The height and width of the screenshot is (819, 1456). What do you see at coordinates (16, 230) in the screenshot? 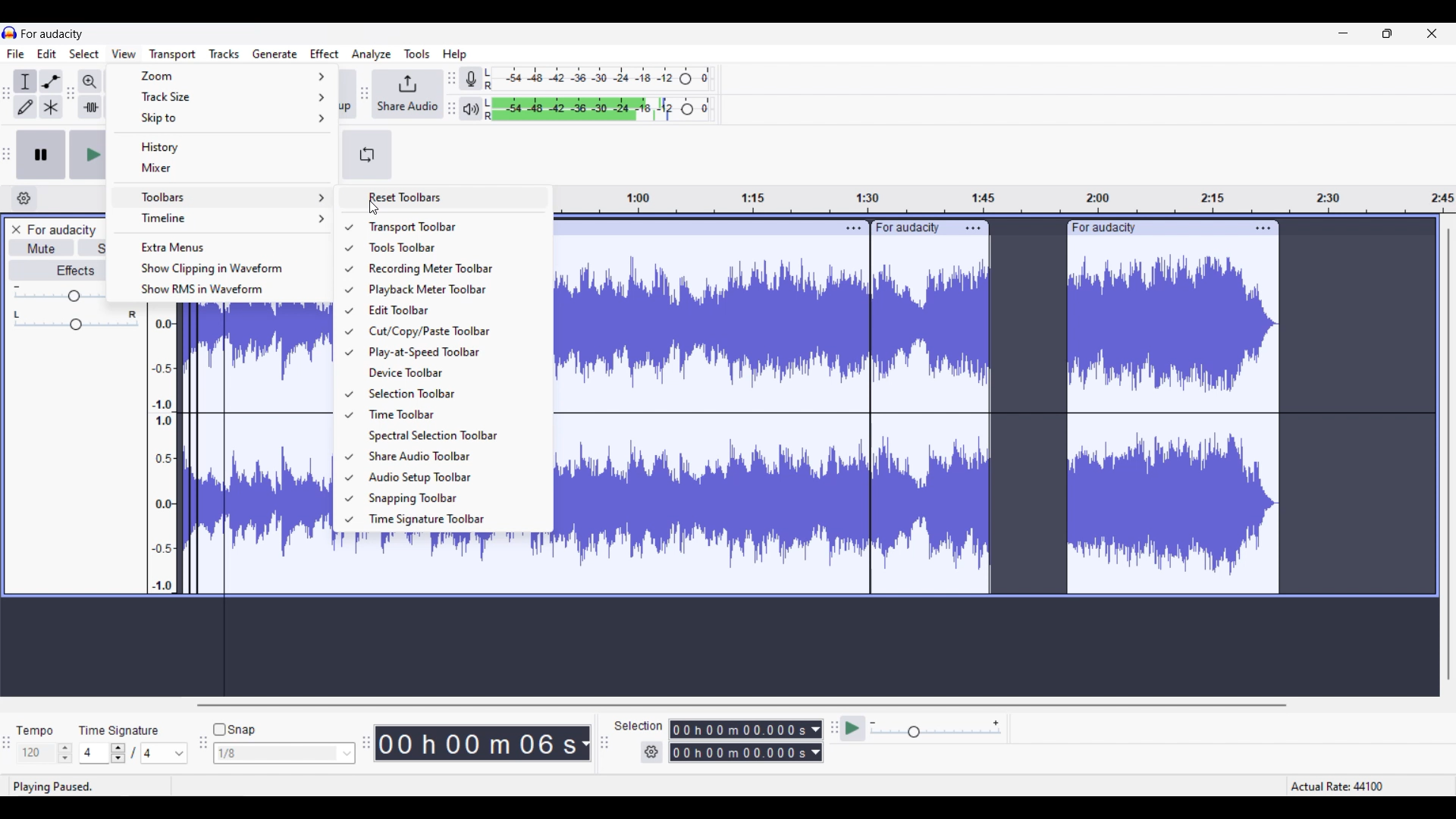
I see `Close track` at bounding box center [16, 230].